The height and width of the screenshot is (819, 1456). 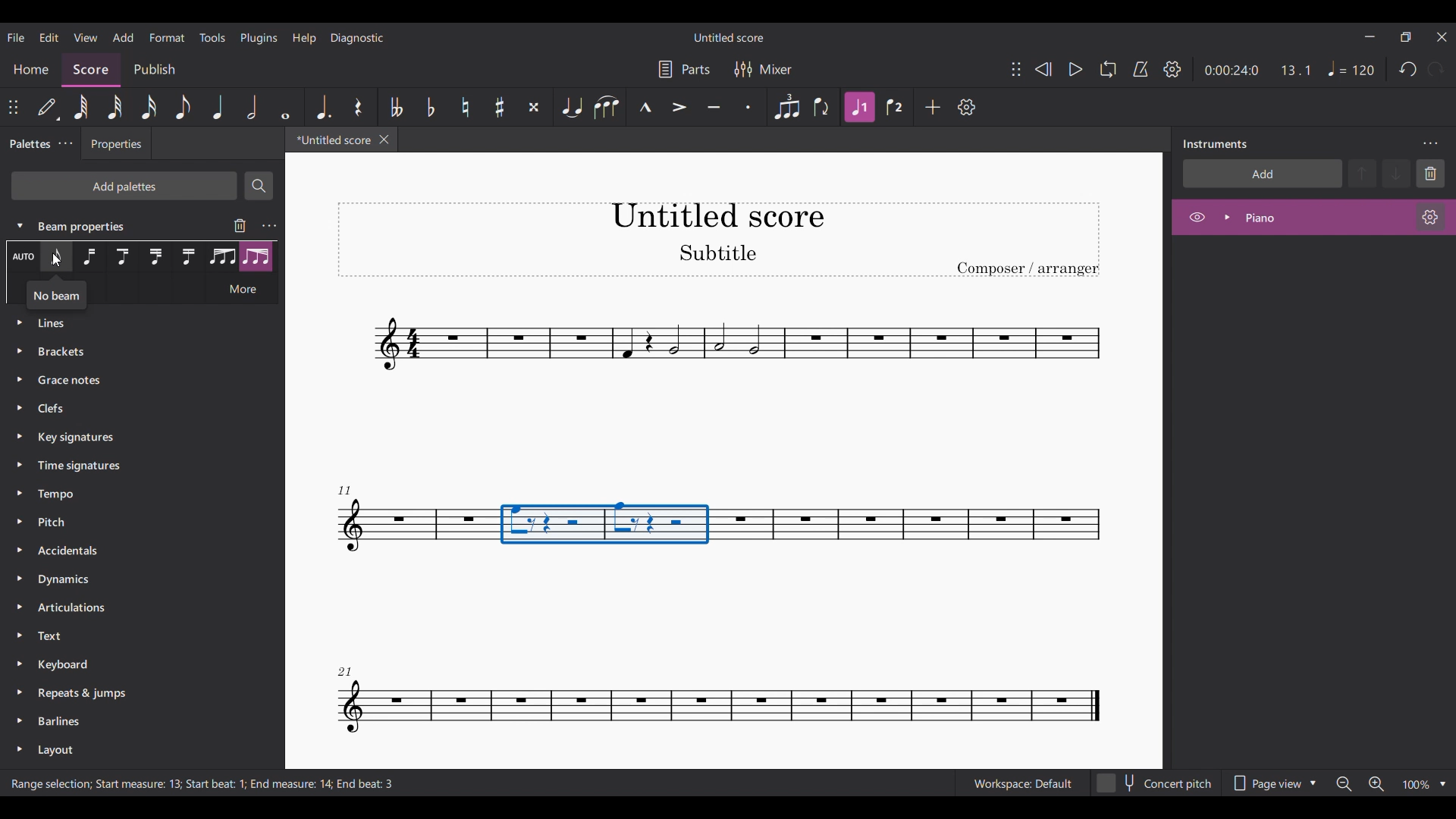 I want to click on Barlines, so click(x=129, y=722).